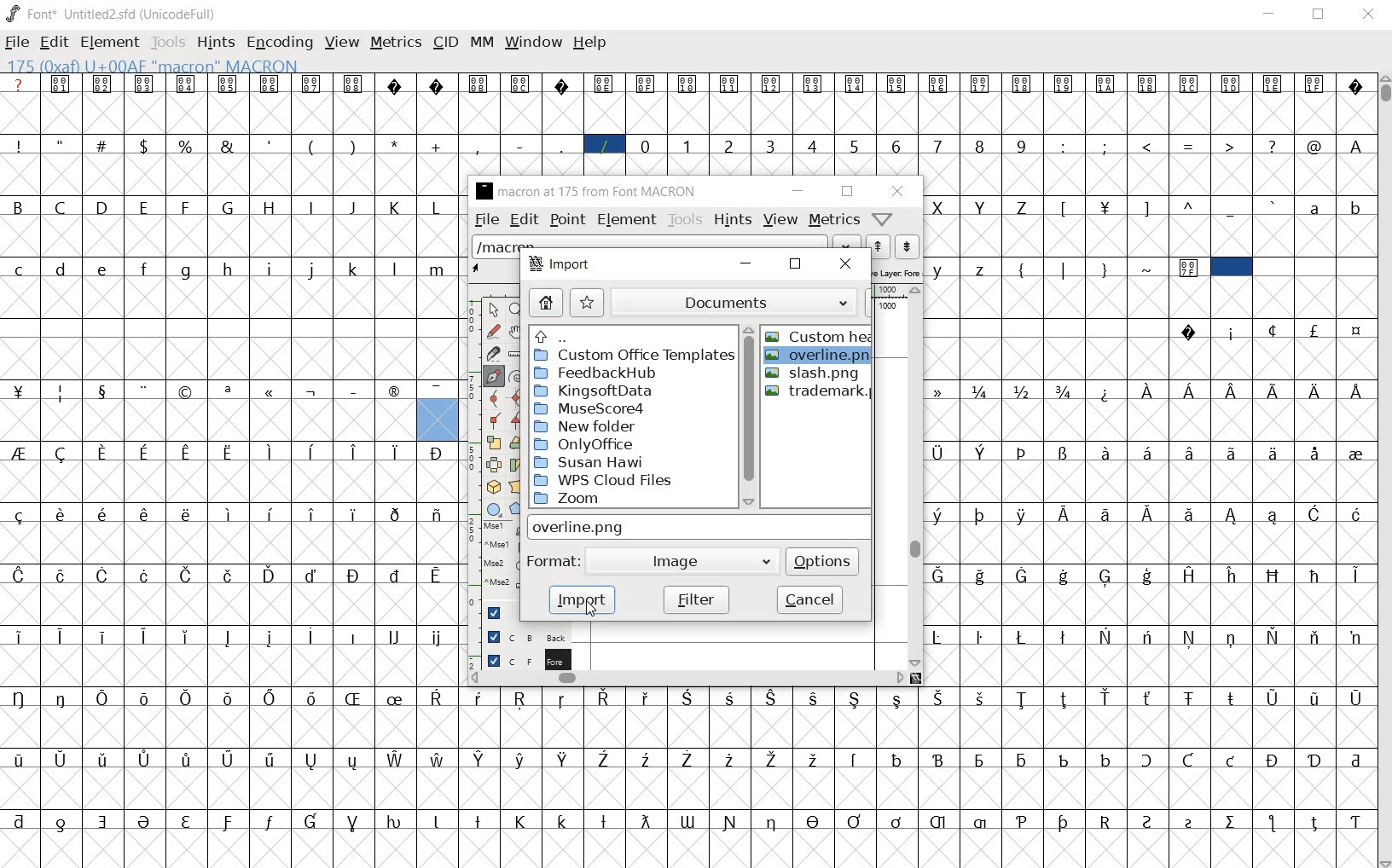 Image resolution: width=1392 pixels, height=868 pixels. Describe the element at coordinates (591, 43) in the screenshot. I see `Help` at that location.